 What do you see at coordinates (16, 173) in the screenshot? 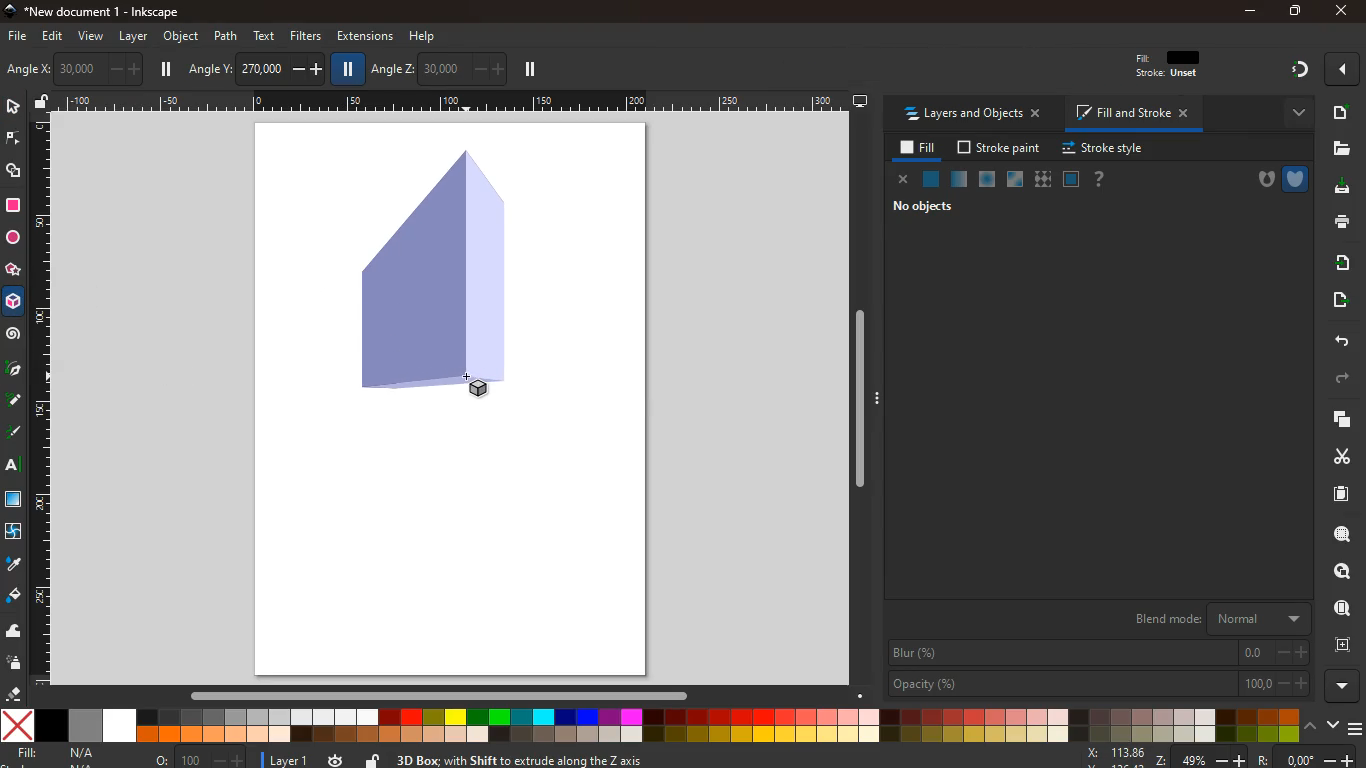
I see `shapes` at bounding box center [16, 173].